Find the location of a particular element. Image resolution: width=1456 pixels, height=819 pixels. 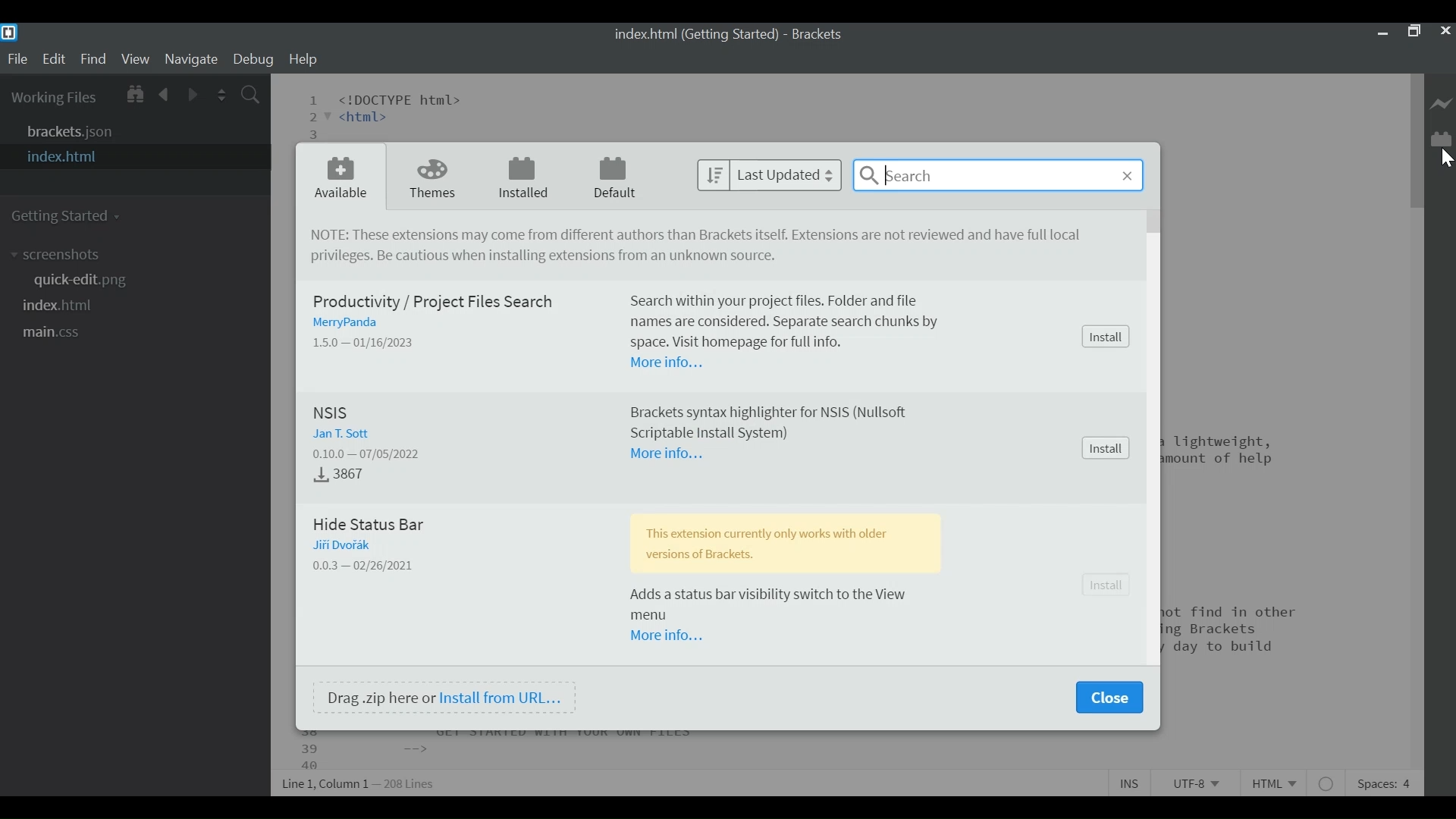

Install is located at coordinates (1103, 336).